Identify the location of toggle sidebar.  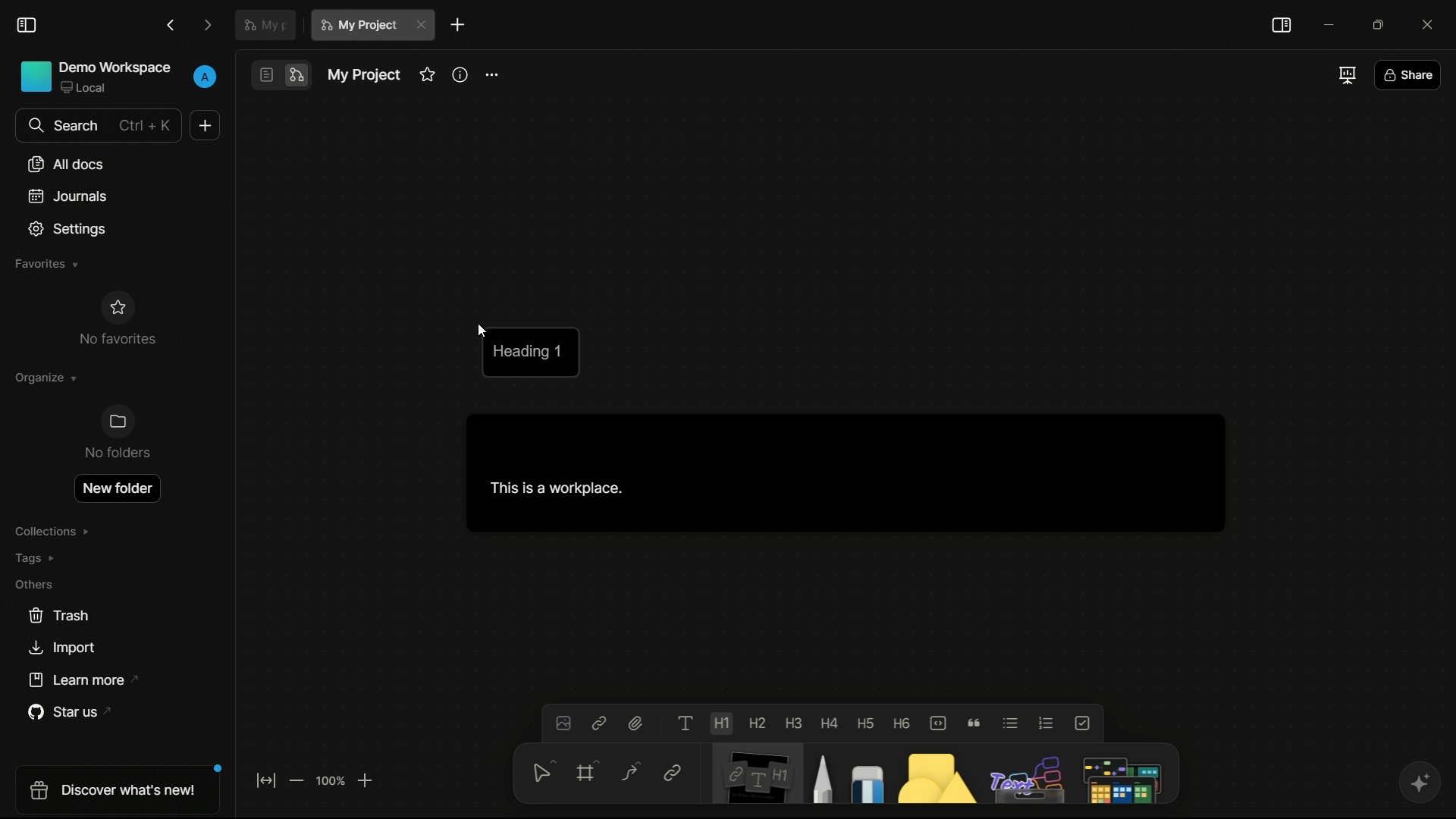
(1282, 26).